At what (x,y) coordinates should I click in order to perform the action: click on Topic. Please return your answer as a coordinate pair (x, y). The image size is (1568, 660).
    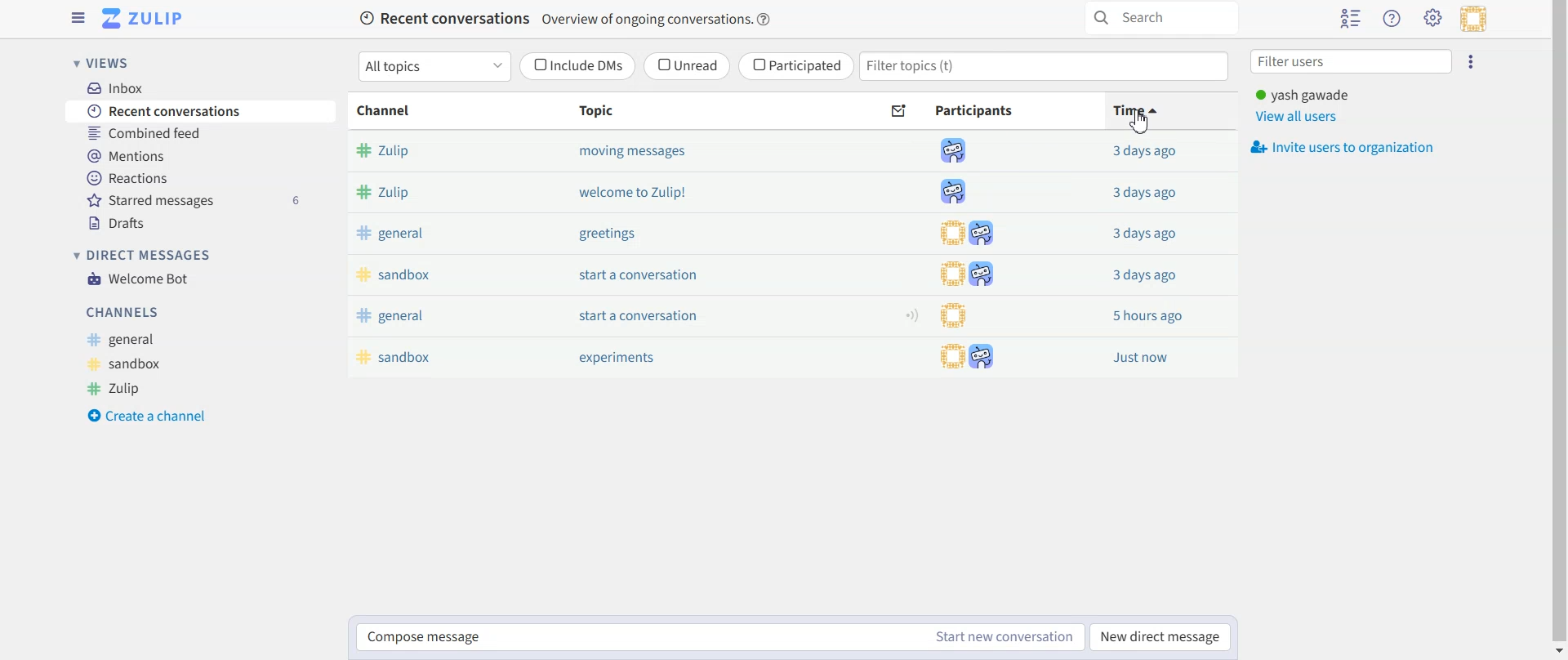
    Looking at the image, I should click on (621, 111).